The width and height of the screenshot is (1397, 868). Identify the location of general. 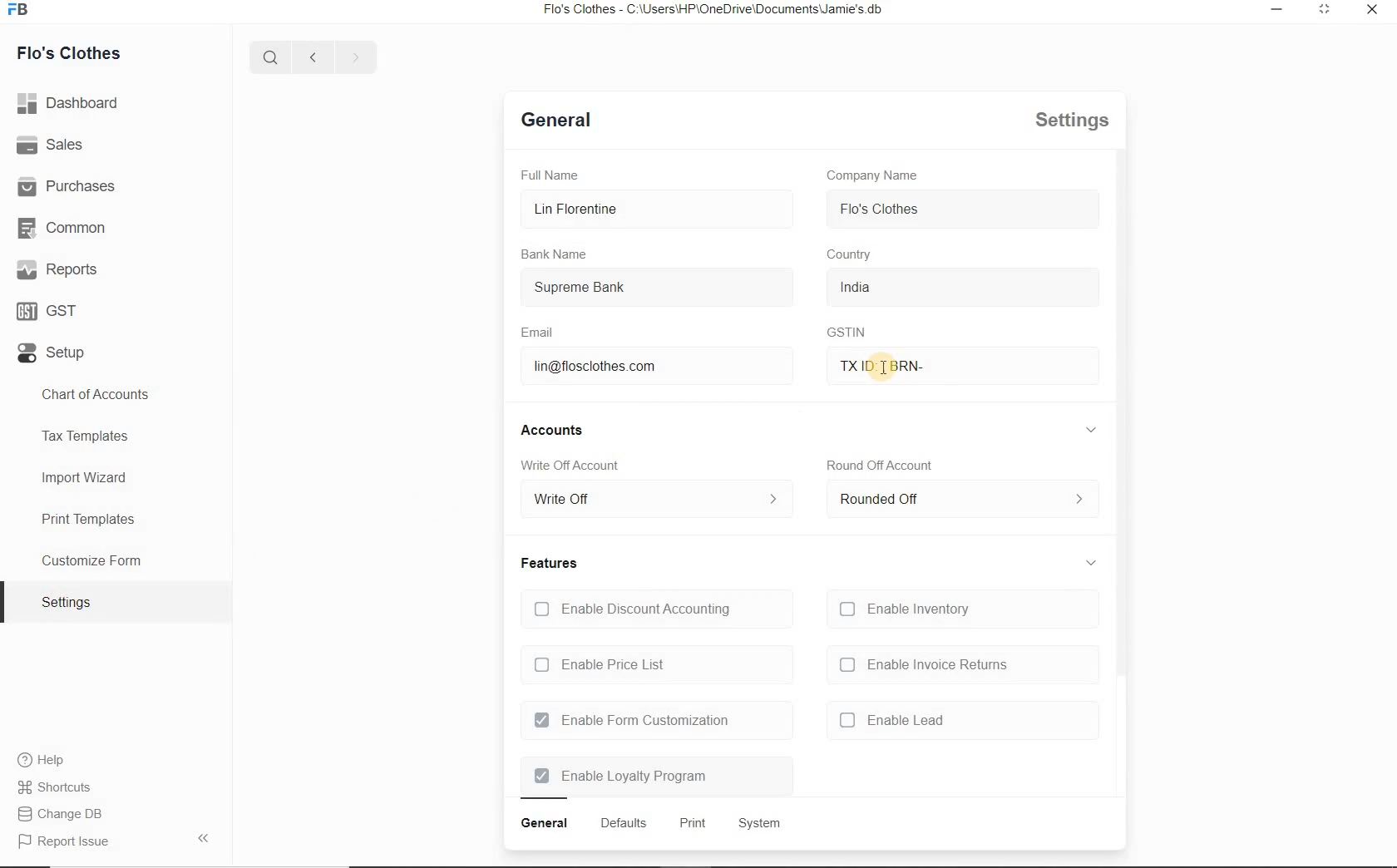
(545, 824).